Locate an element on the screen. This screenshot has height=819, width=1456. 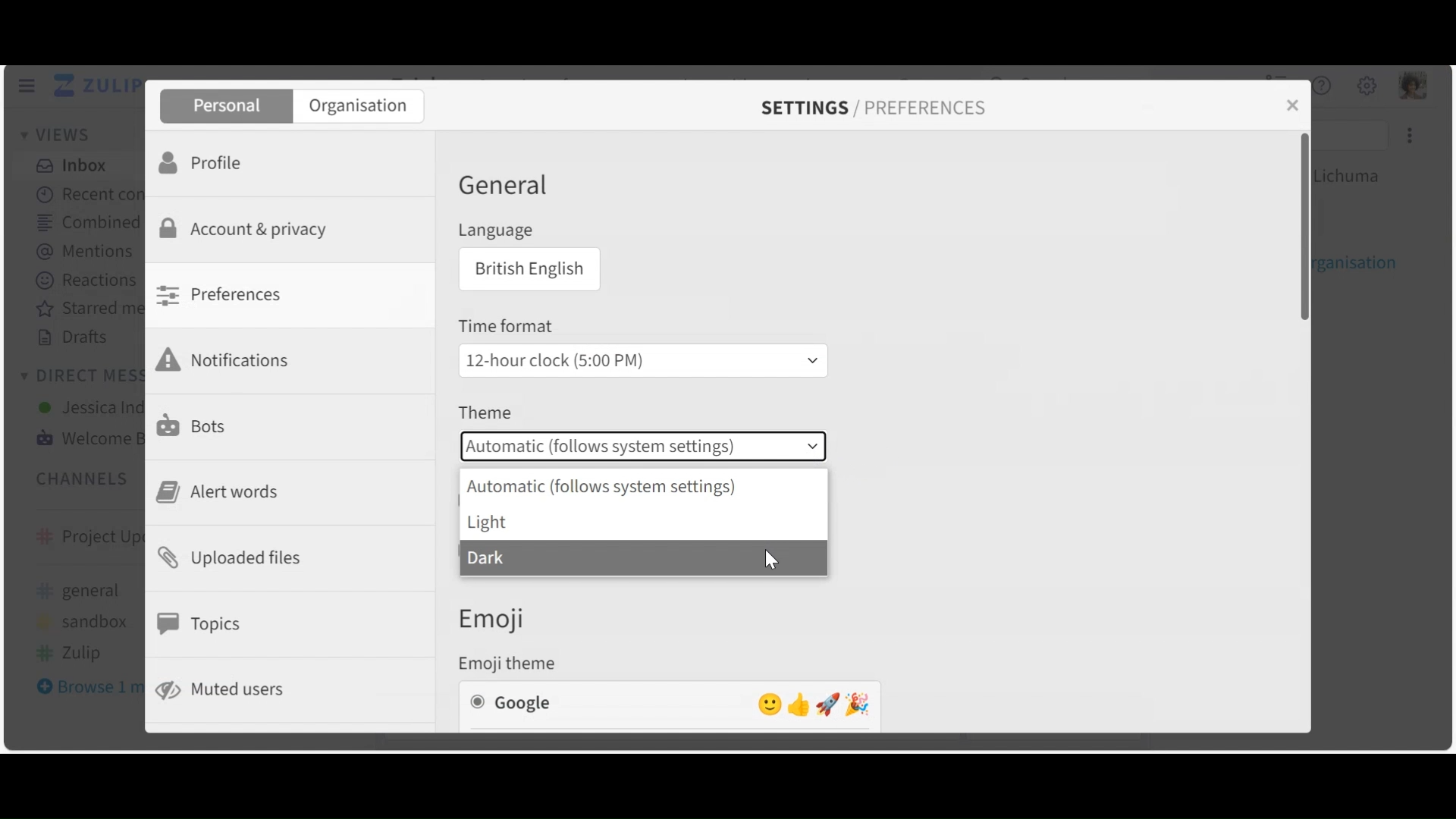
Bots is located at coordinates (194, 425).